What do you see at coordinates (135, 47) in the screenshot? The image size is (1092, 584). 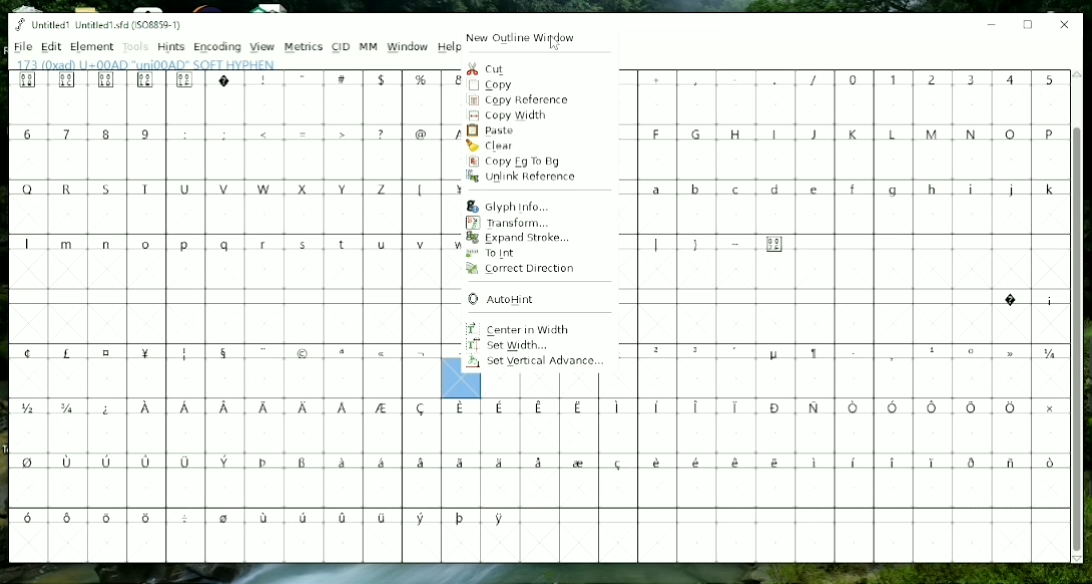 I see `Tools` at bounding box center [135, 47].